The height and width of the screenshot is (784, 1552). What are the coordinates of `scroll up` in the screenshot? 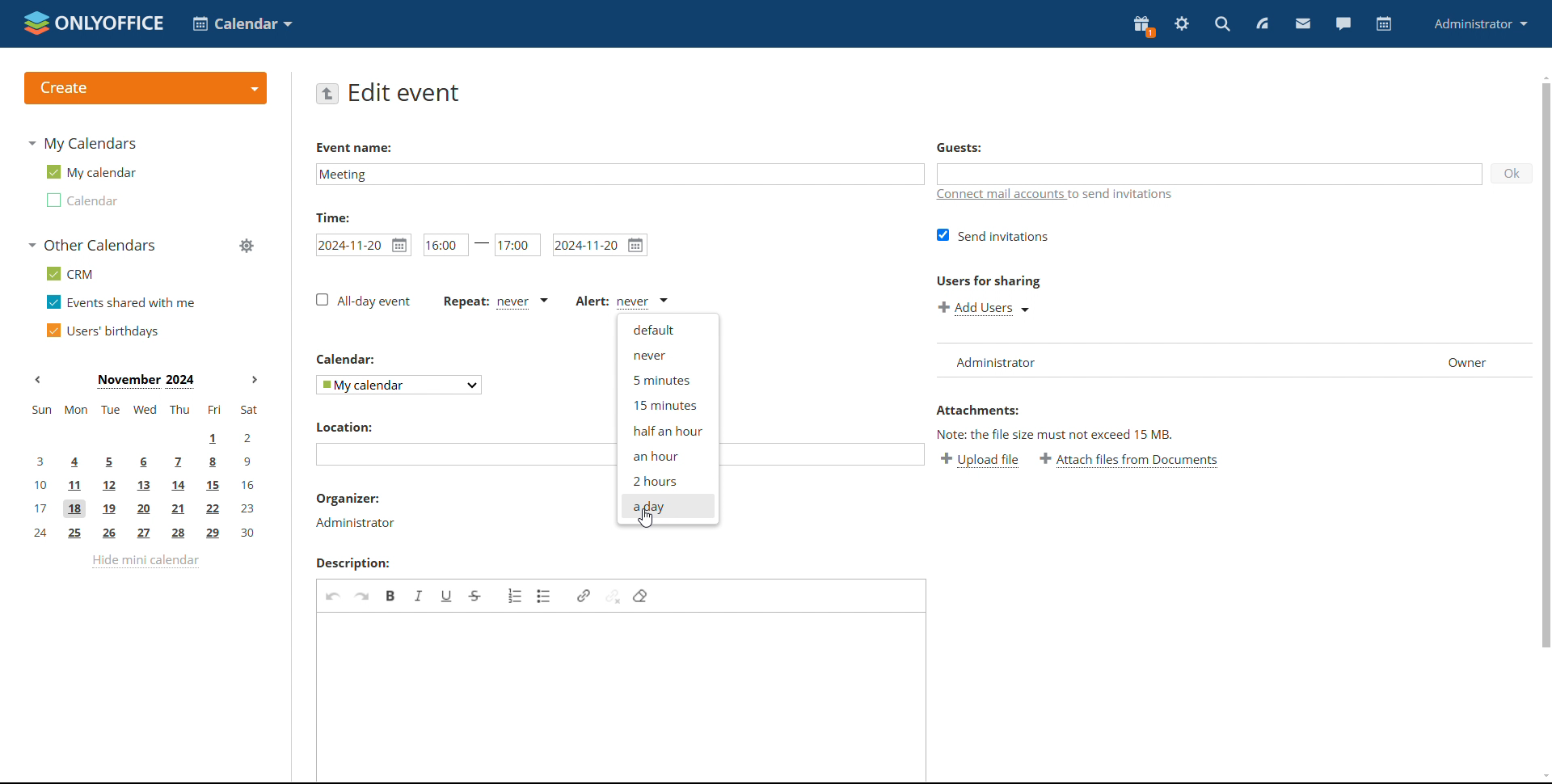 It's located at (1542, 75).